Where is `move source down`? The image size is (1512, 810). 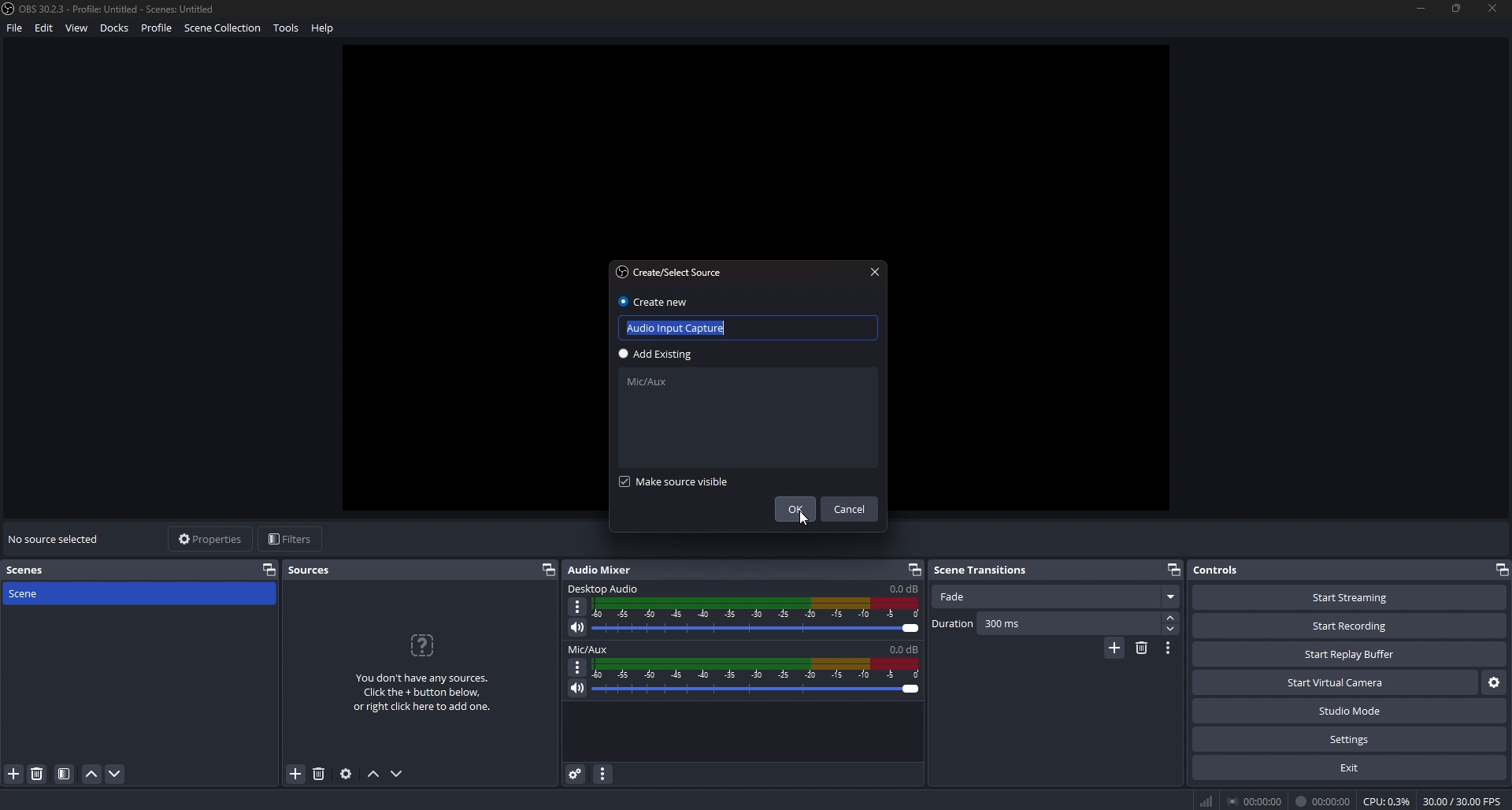 move source down is located at coordinates (395, 775).